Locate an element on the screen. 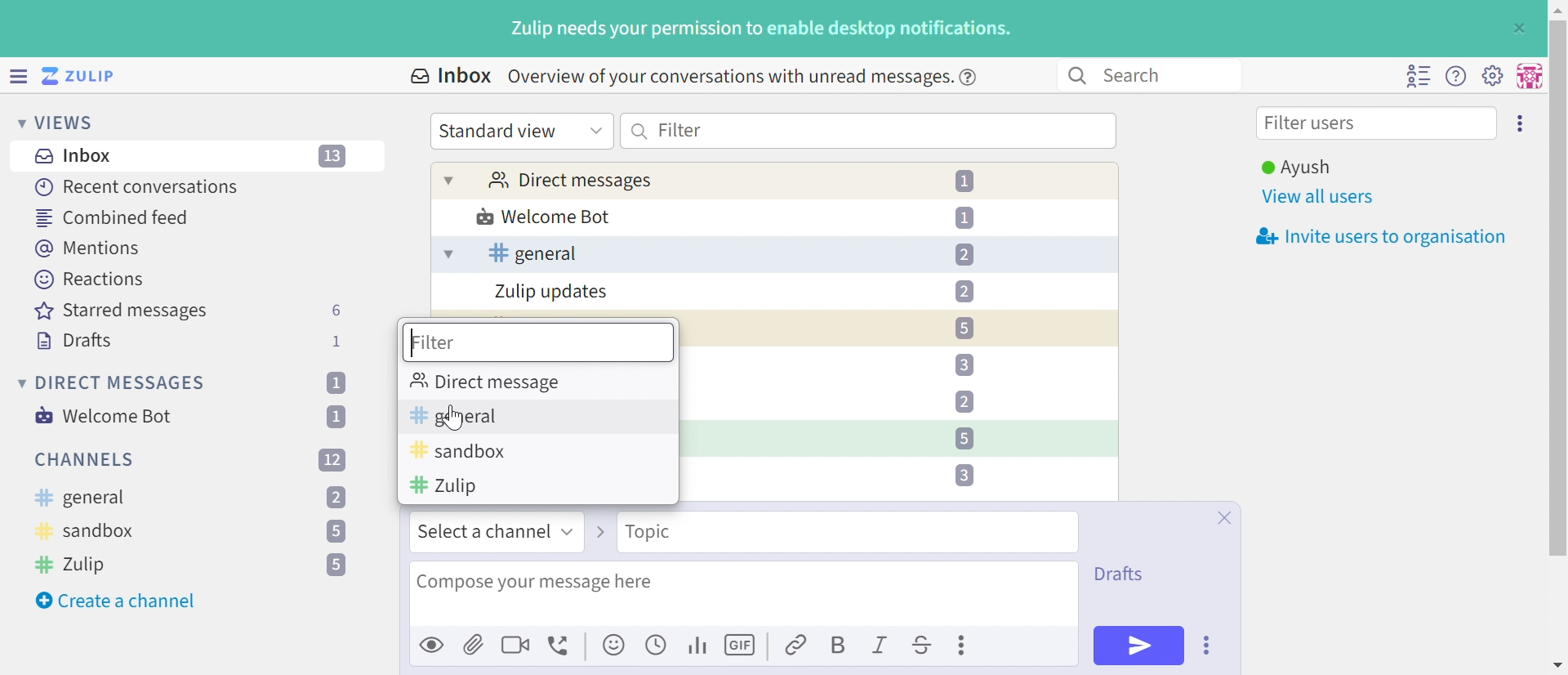 This screenshot has width=1568, height=675. move up is located at coordinates (1557, 8).